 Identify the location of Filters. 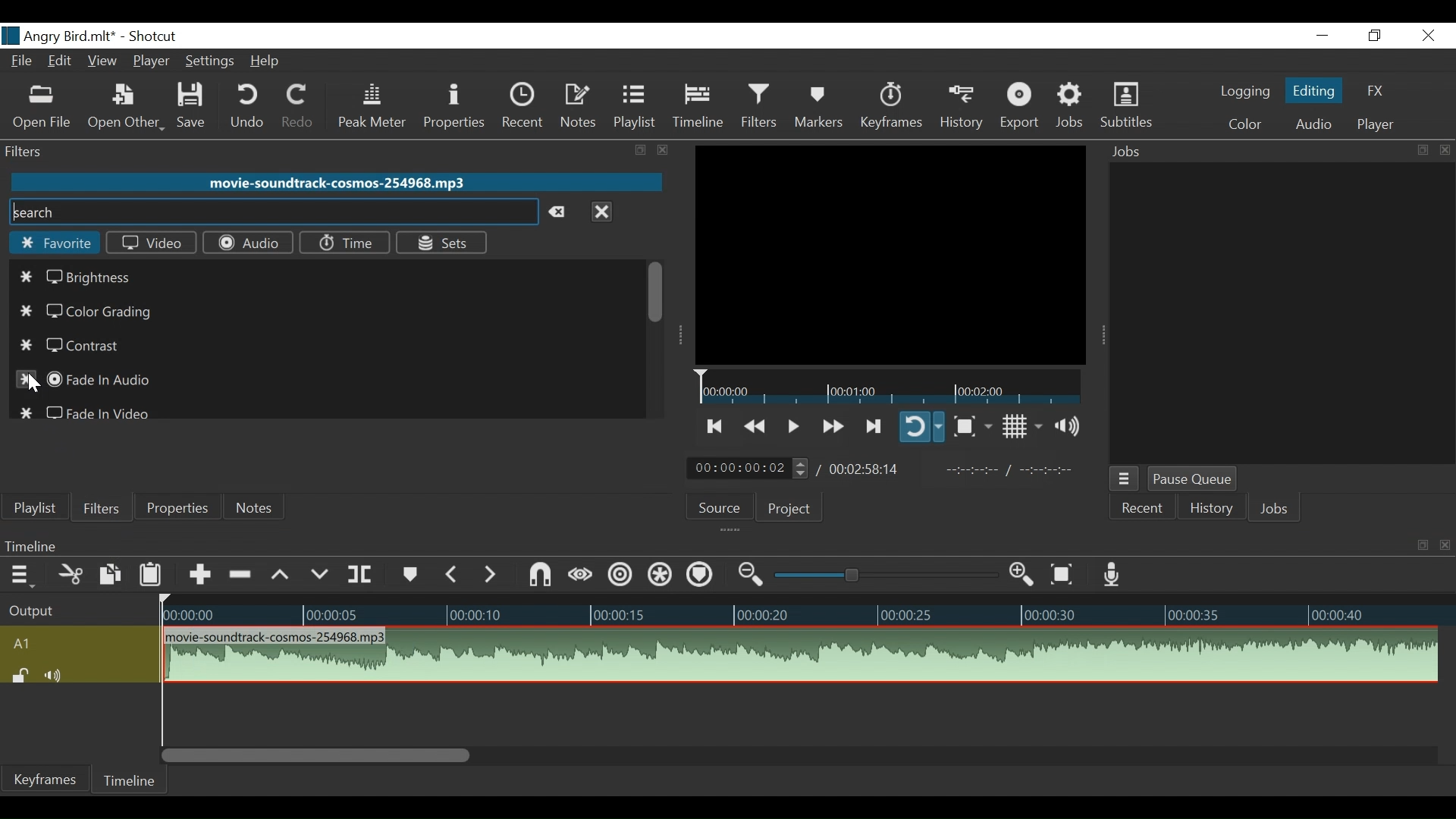
(759, 106).